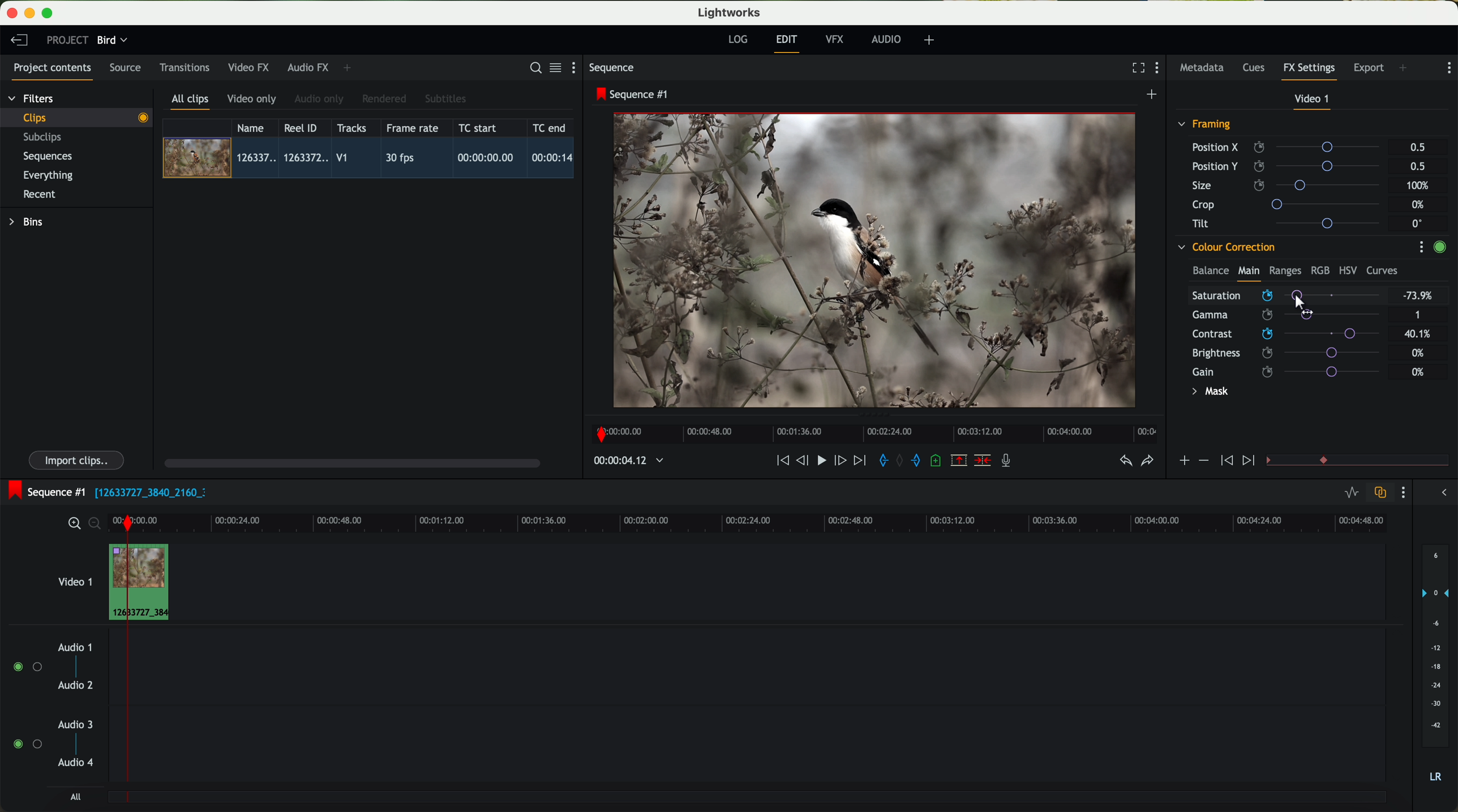 Image resolution: width=1458 pixels, height=812 pixels. What do you see at coordinates (1225, 247) in the screenshot?
I see `colour correction` at bounding box center [1225, 247].